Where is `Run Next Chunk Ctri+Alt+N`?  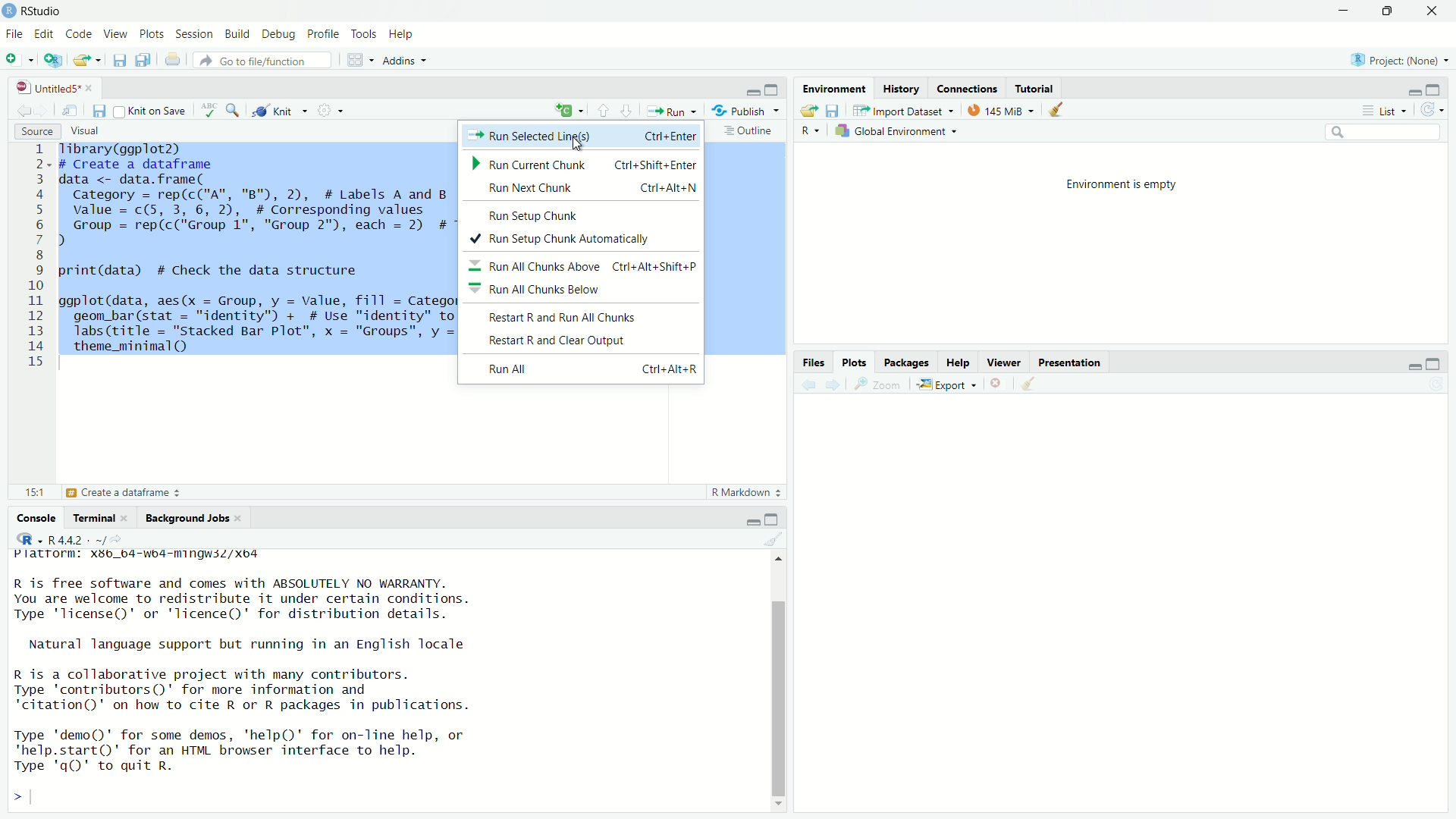
Run Next Chunk Ctri+Alt+N is located at coordinates (588, 188).